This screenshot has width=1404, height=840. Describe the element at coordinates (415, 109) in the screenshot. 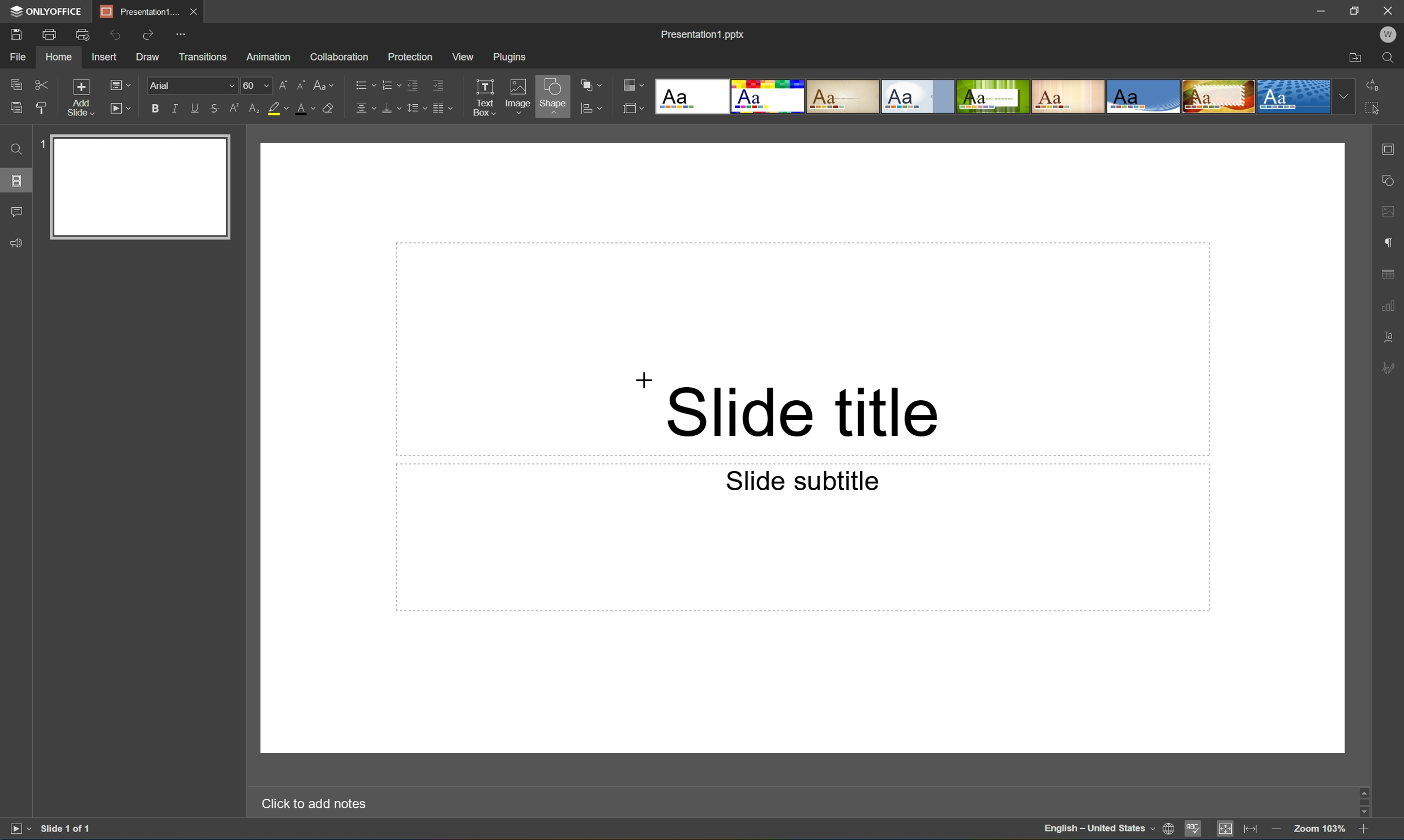

I see `Line spacing` at that location.